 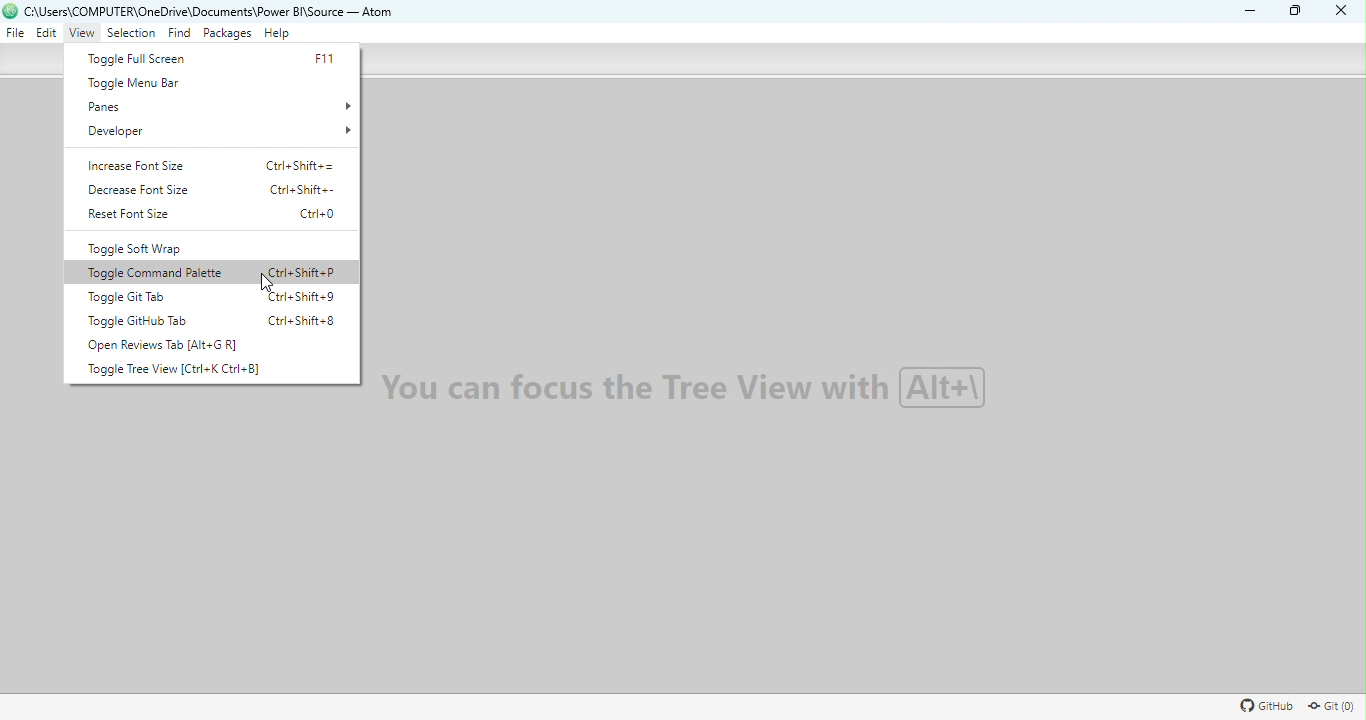 I want to click on Edit, so click(x=45, y=35).